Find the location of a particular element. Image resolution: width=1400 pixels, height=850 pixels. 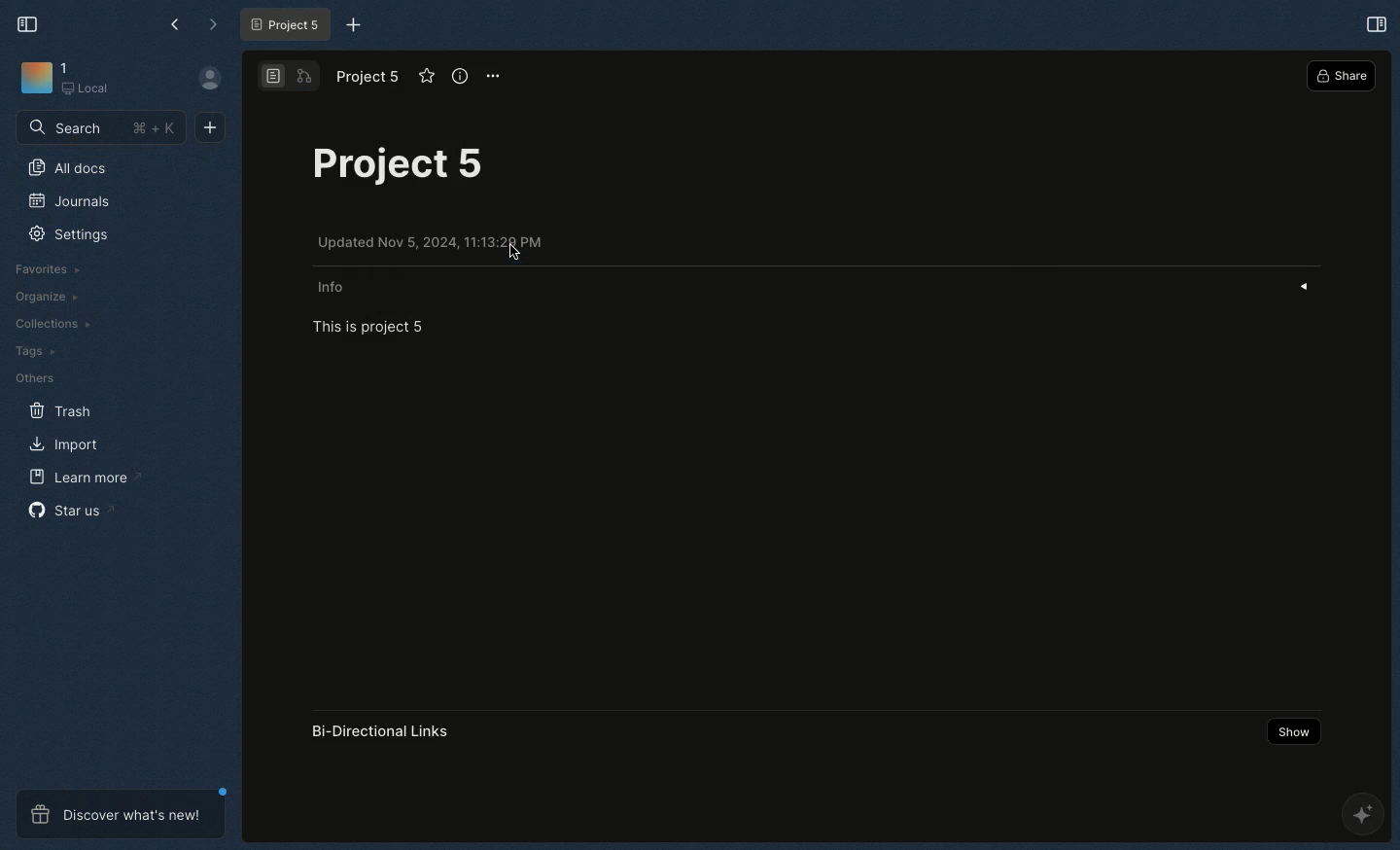

Project 5 is located at coordinates (286, 22).